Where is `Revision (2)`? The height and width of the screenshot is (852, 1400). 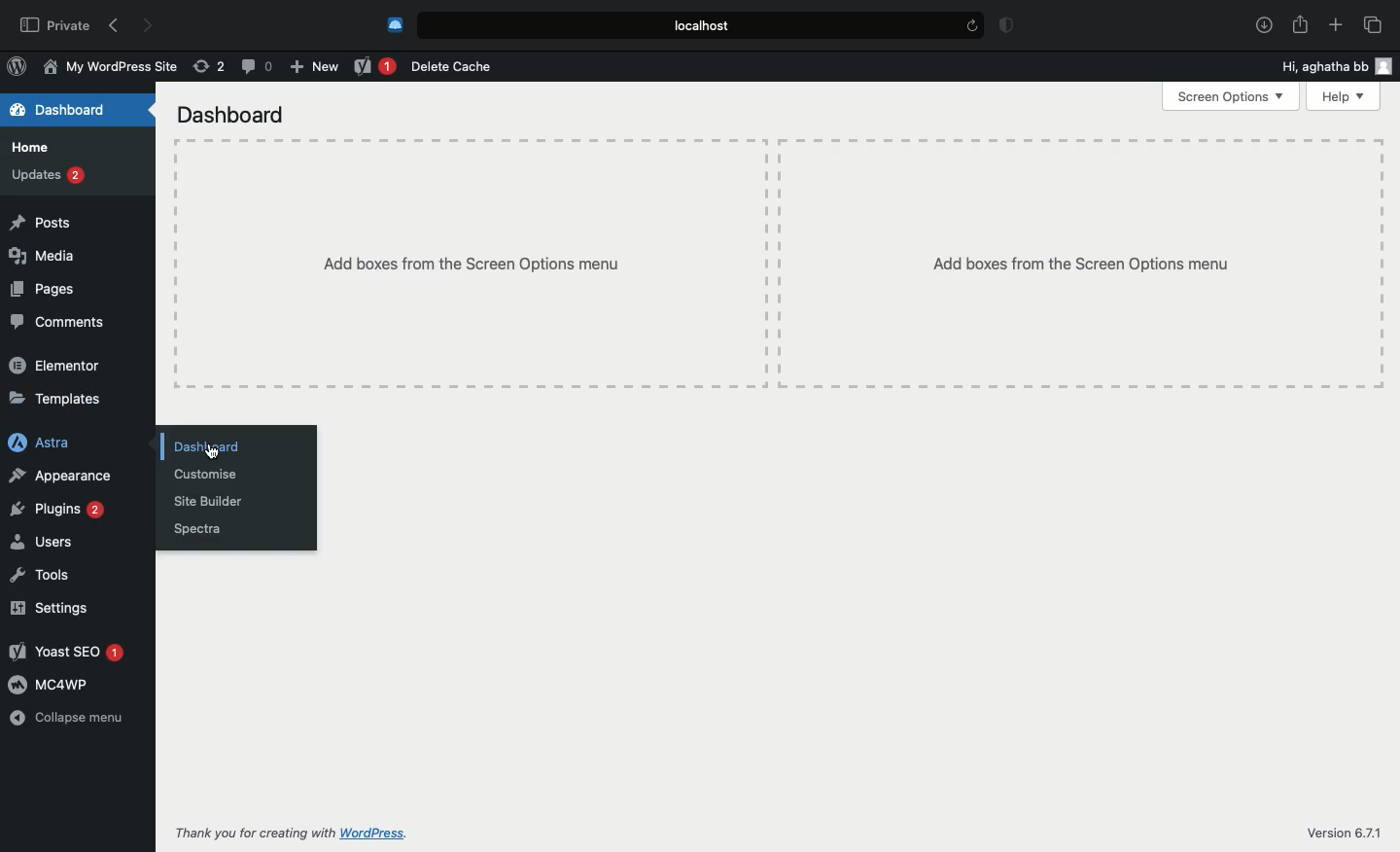
Revision (2) is located at coordinates (209, 67).